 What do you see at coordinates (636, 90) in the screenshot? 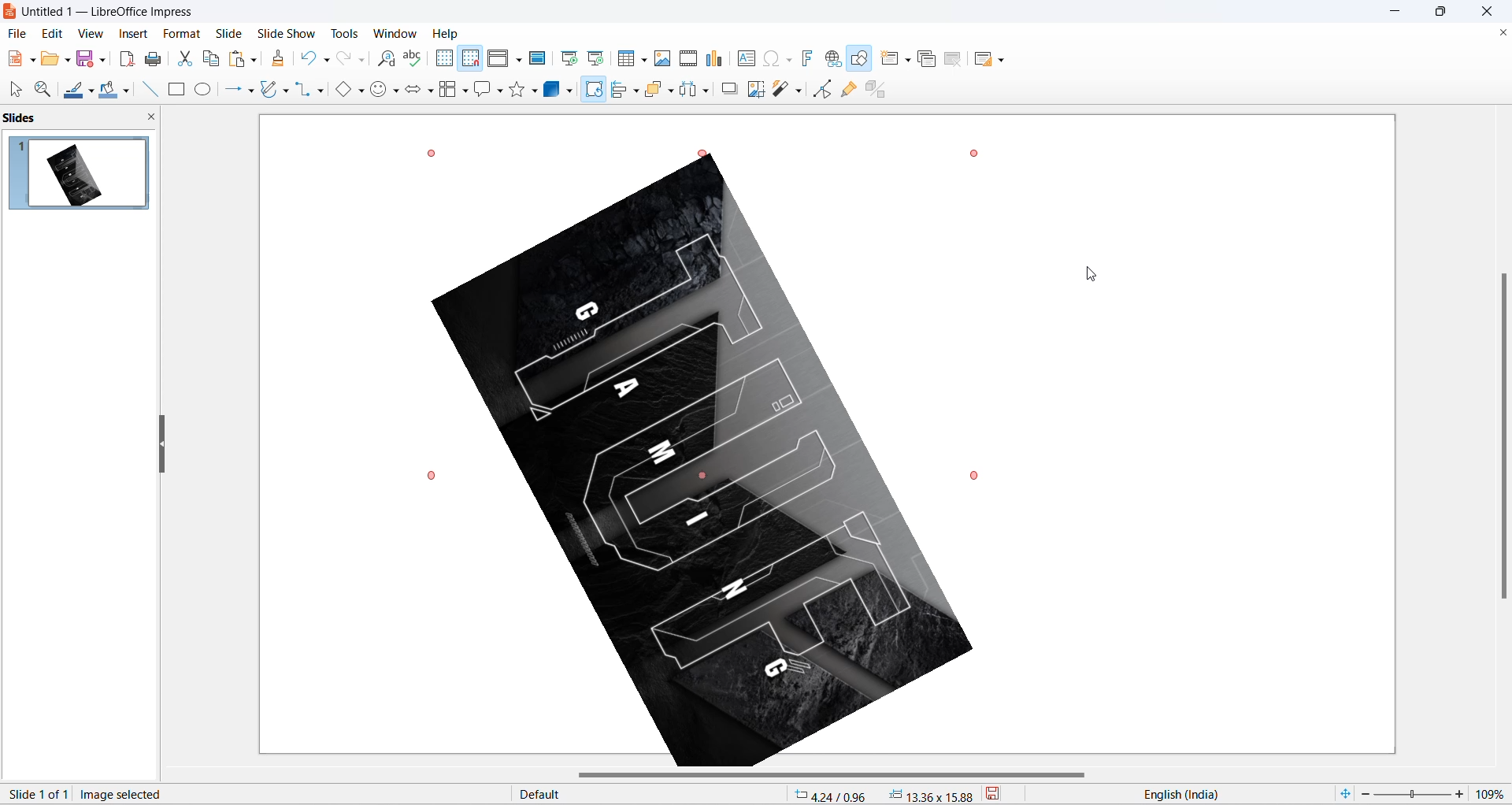
I see `align options` at bounding box center [636, 90].